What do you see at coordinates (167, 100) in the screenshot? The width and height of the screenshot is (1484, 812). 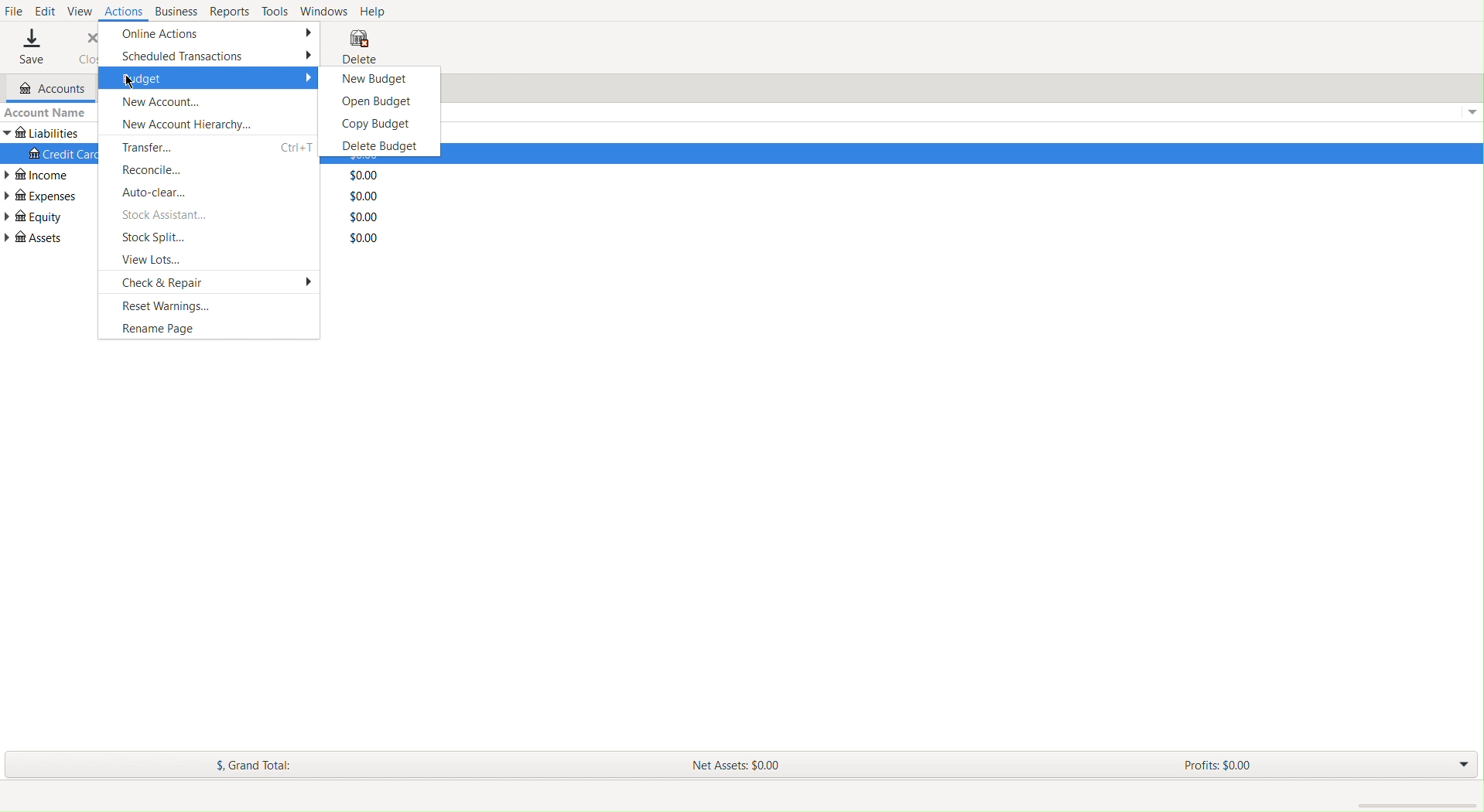 I see `New Account` at bounding box center [167, 100].